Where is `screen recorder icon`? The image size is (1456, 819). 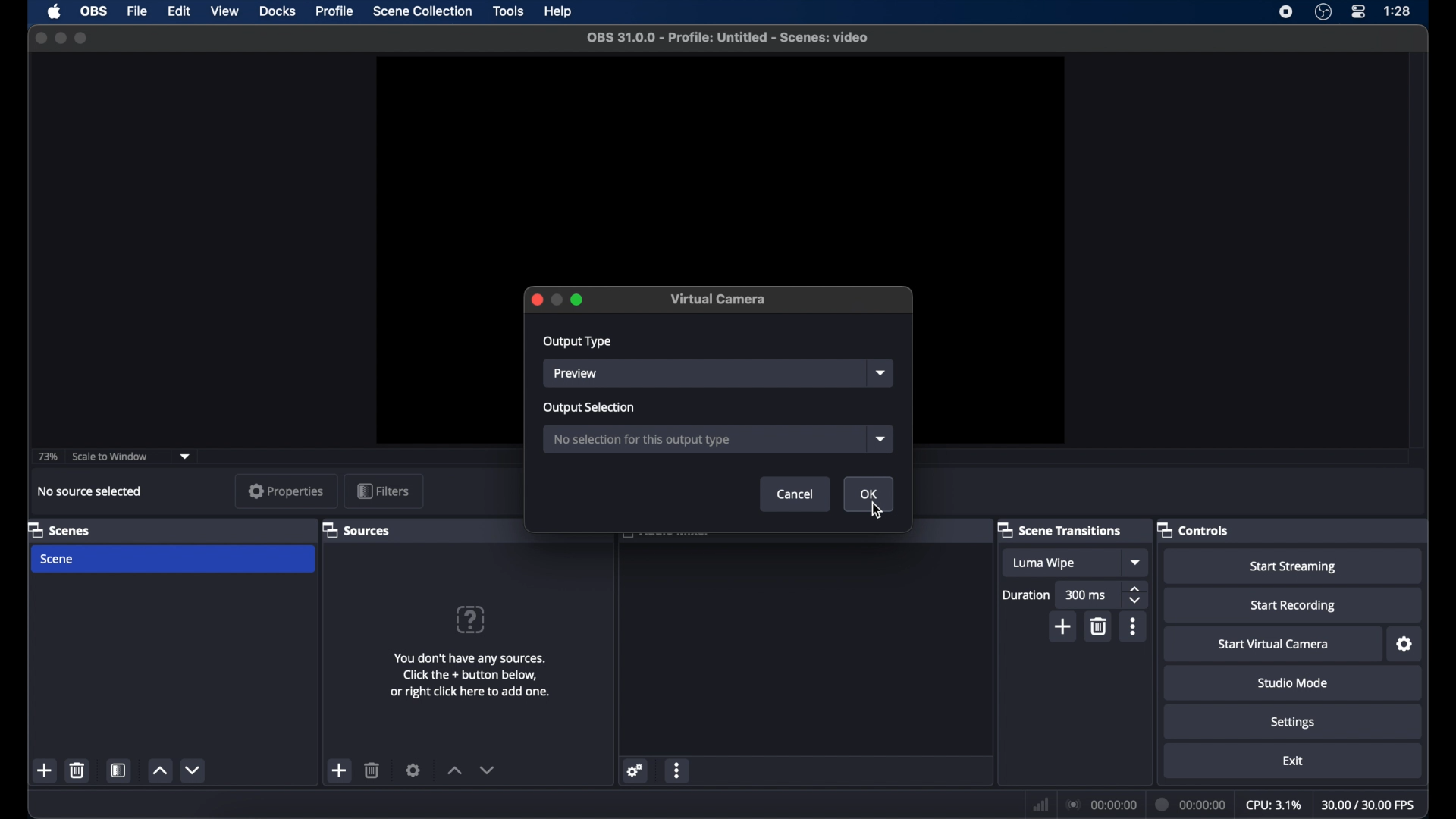
screen recorder icon is located at coordinates (1287, 12).